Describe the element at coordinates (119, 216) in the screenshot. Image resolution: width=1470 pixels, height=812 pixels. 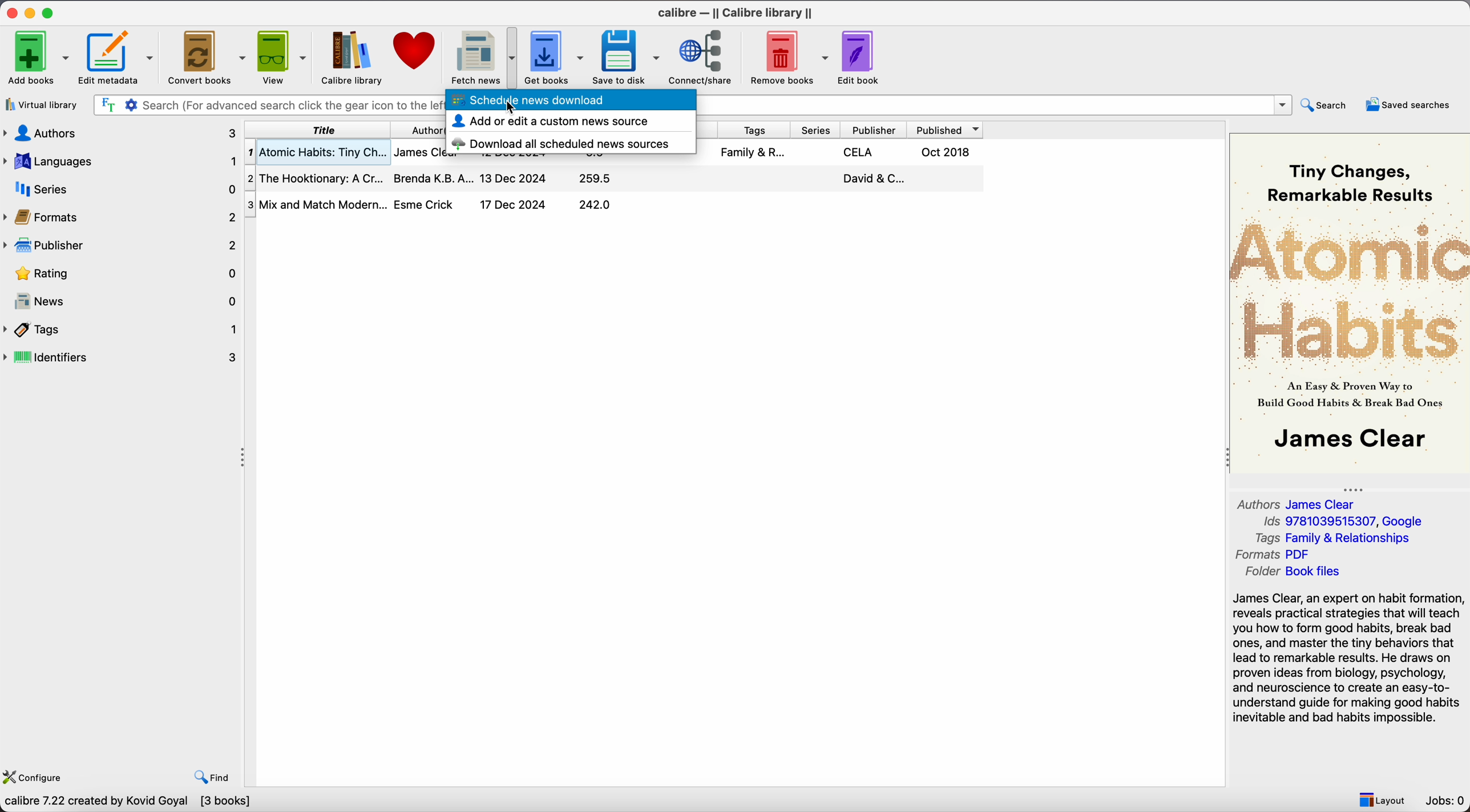
I see `formats` at that location.